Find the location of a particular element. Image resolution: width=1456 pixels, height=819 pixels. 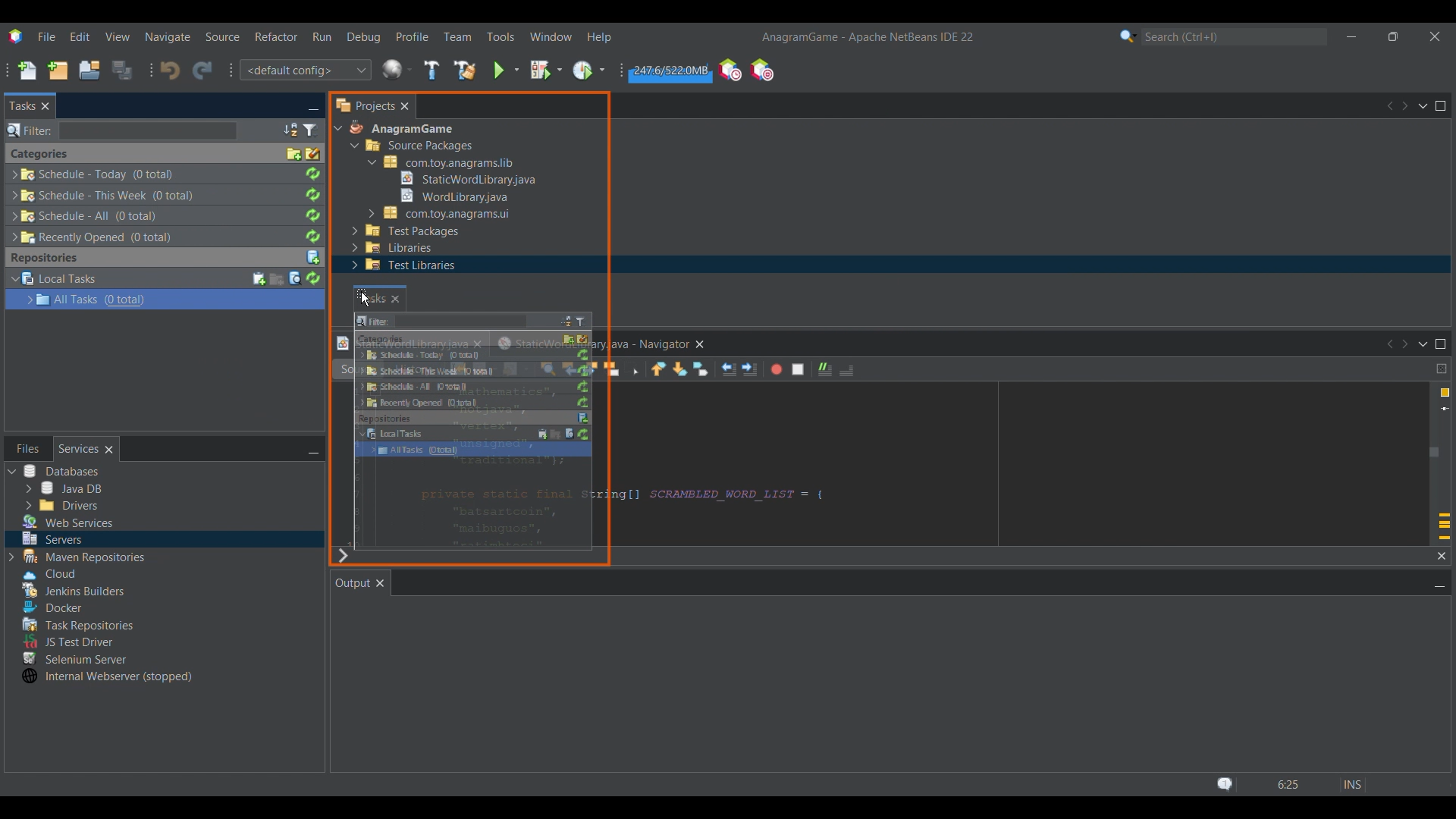

Stop macro recording is located at coordinates (798, 369).